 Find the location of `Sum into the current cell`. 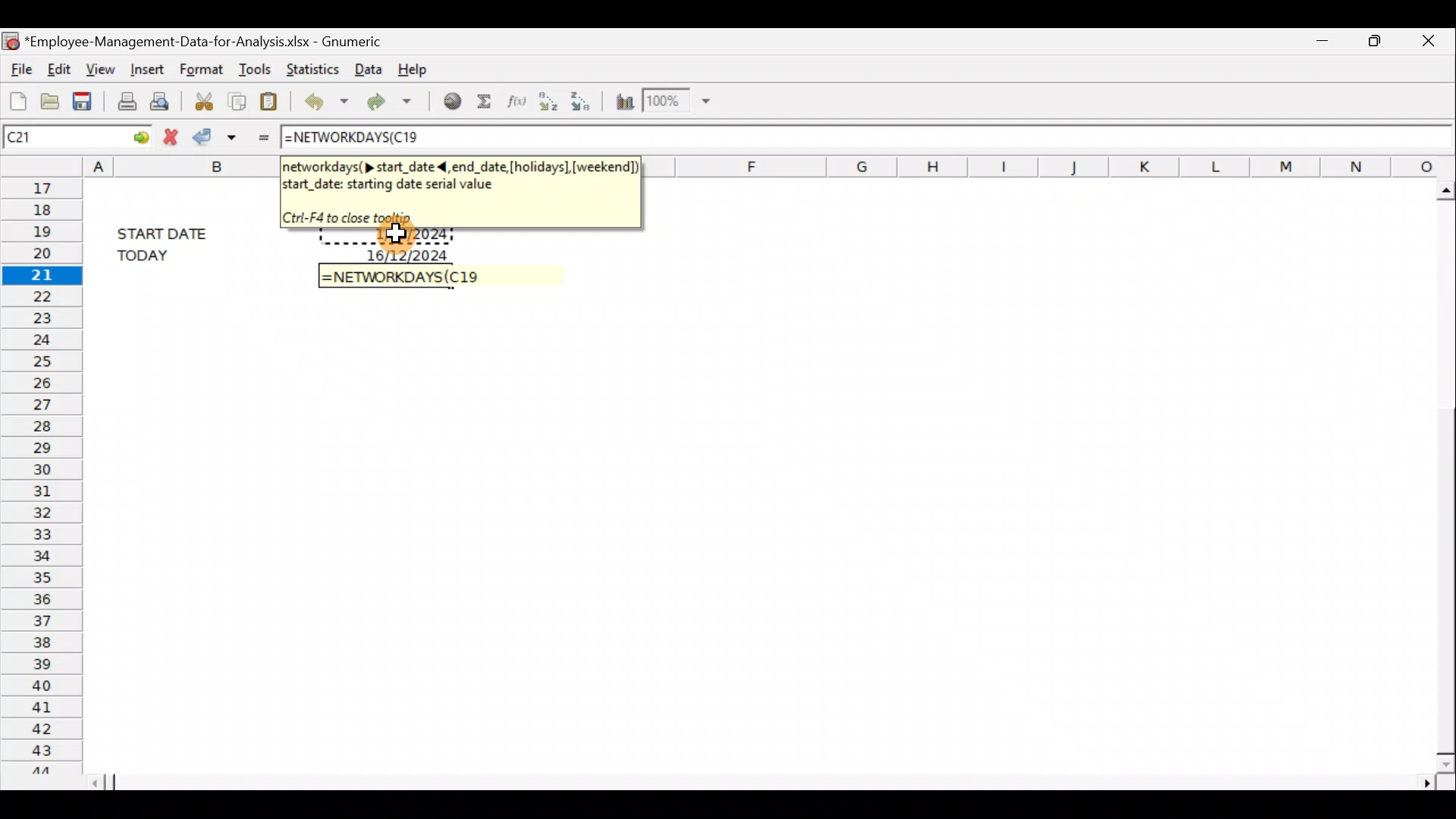

Sum into the current cell is located at coordinates (484, 102).